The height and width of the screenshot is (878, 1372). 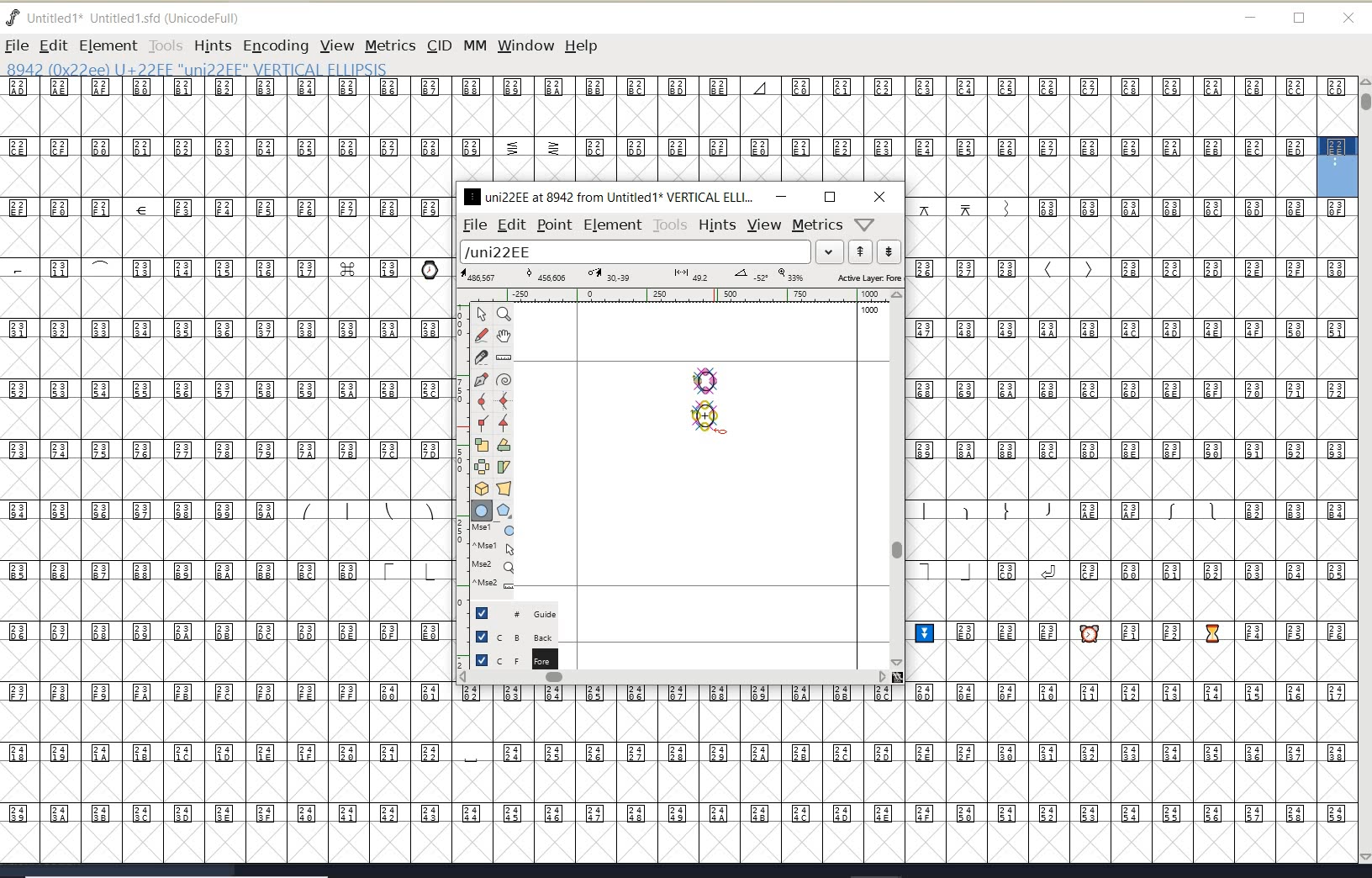 What do you see at coordinates (53, 45) in the screenshot?
I see `EDIT` at bounding box center [53, 45].